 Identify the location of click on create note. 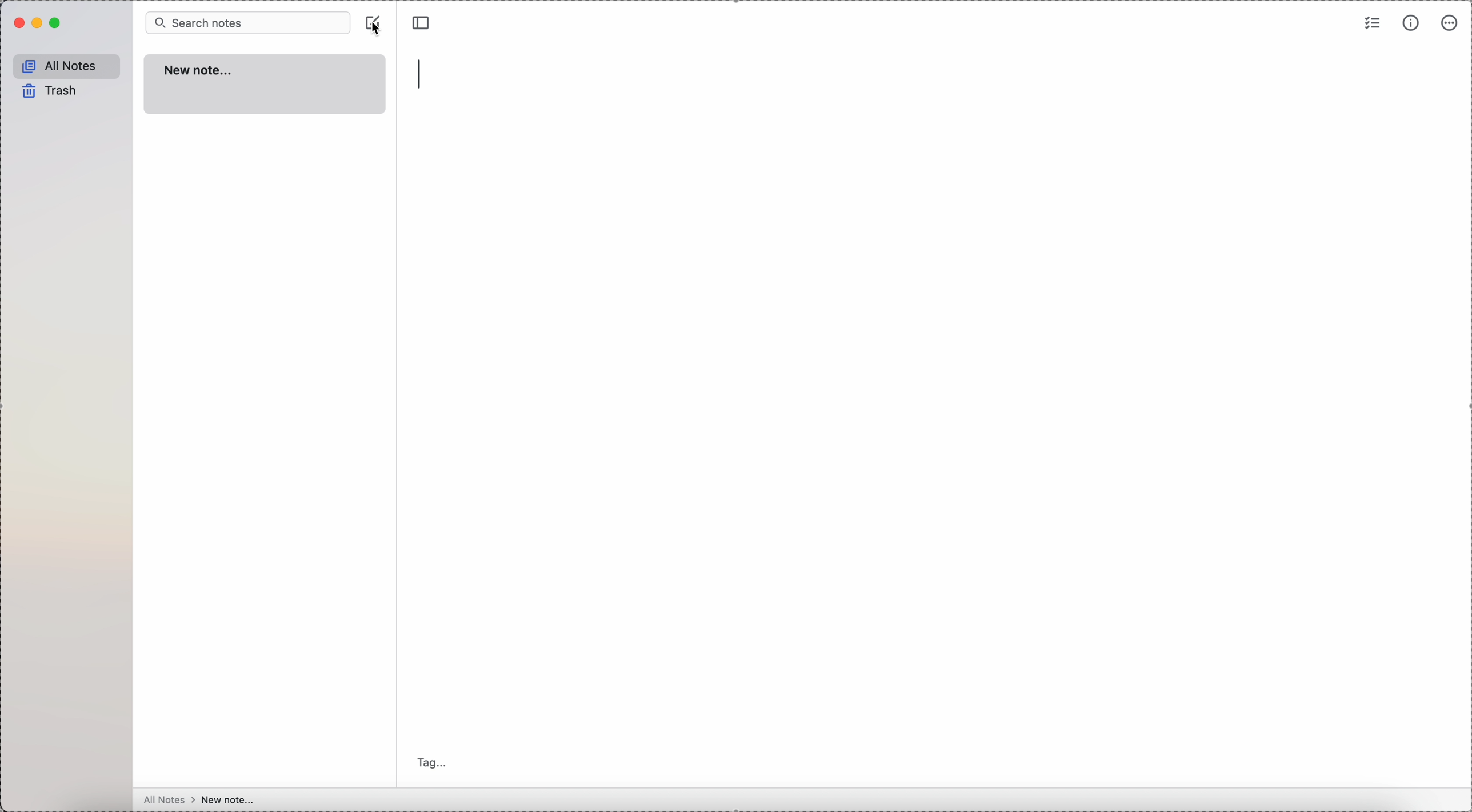
(373, 17).